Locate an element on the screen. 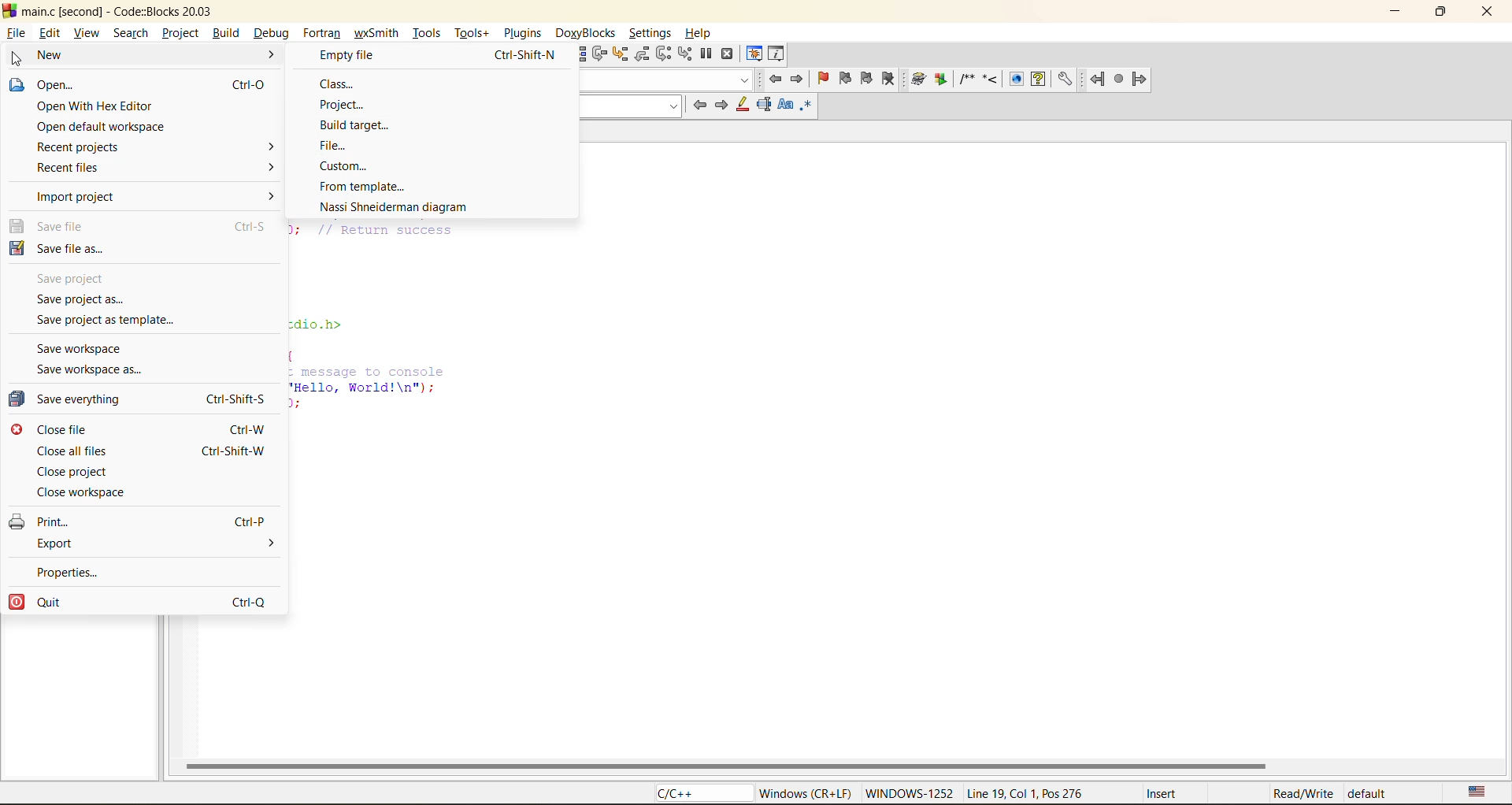  properties is located at coordinates (69, 570).